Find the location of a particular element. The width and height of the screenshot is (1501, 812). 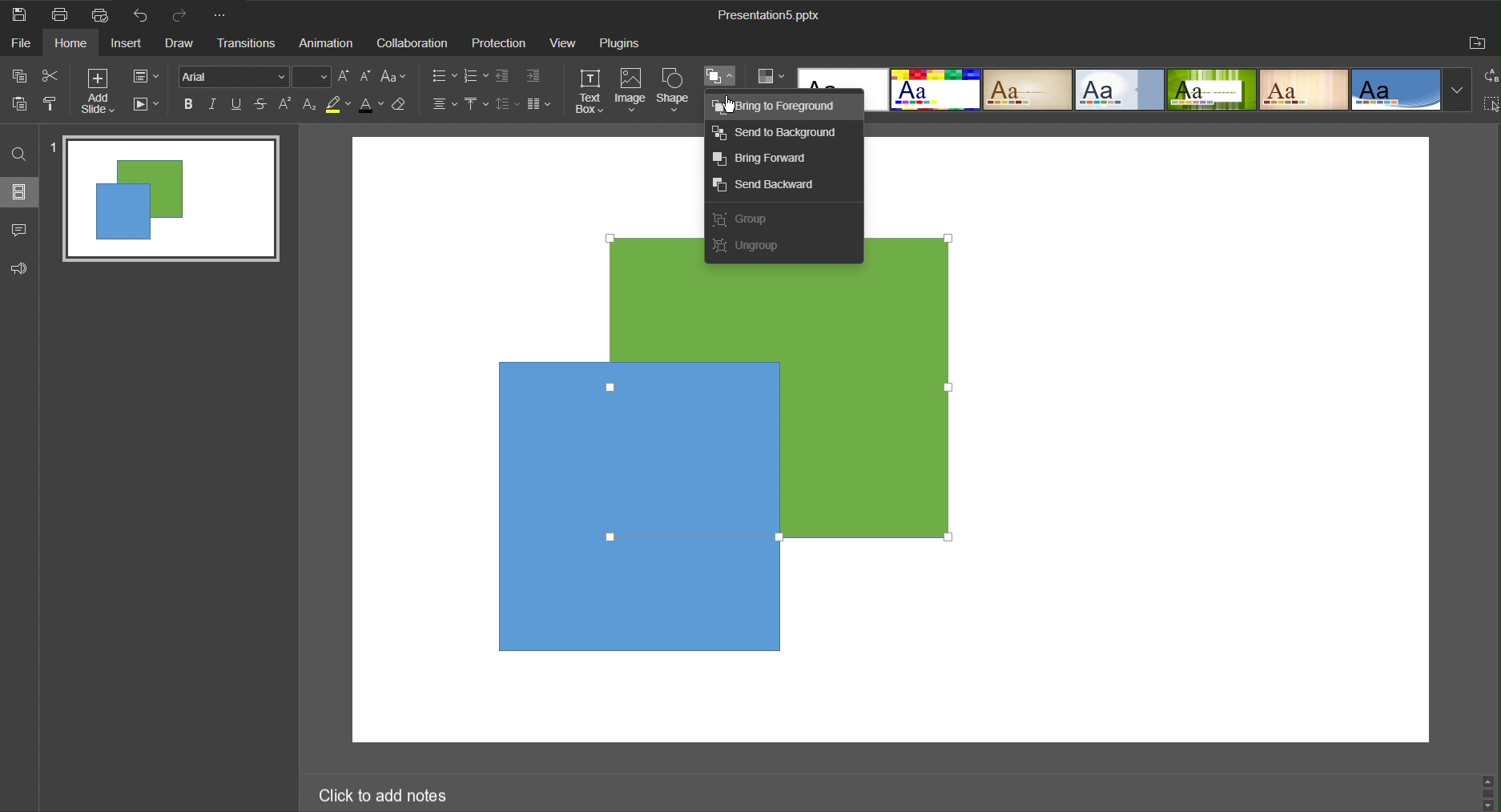

Presentation Title is located at coordinates (768, 16).